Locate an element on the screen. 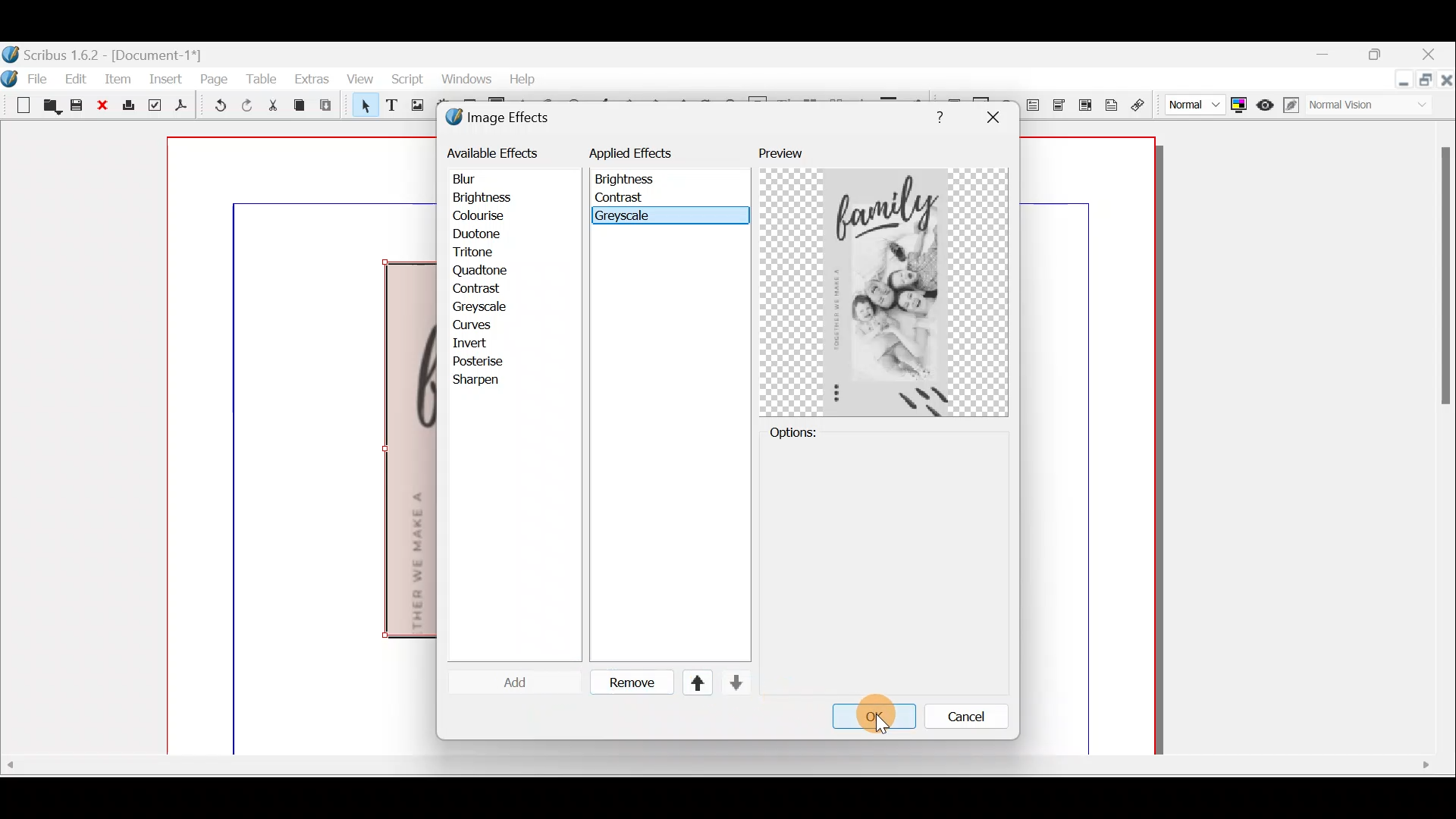 The width and height of the screenshot is (1456, 819). Edit is located at coordinates (77, 78).